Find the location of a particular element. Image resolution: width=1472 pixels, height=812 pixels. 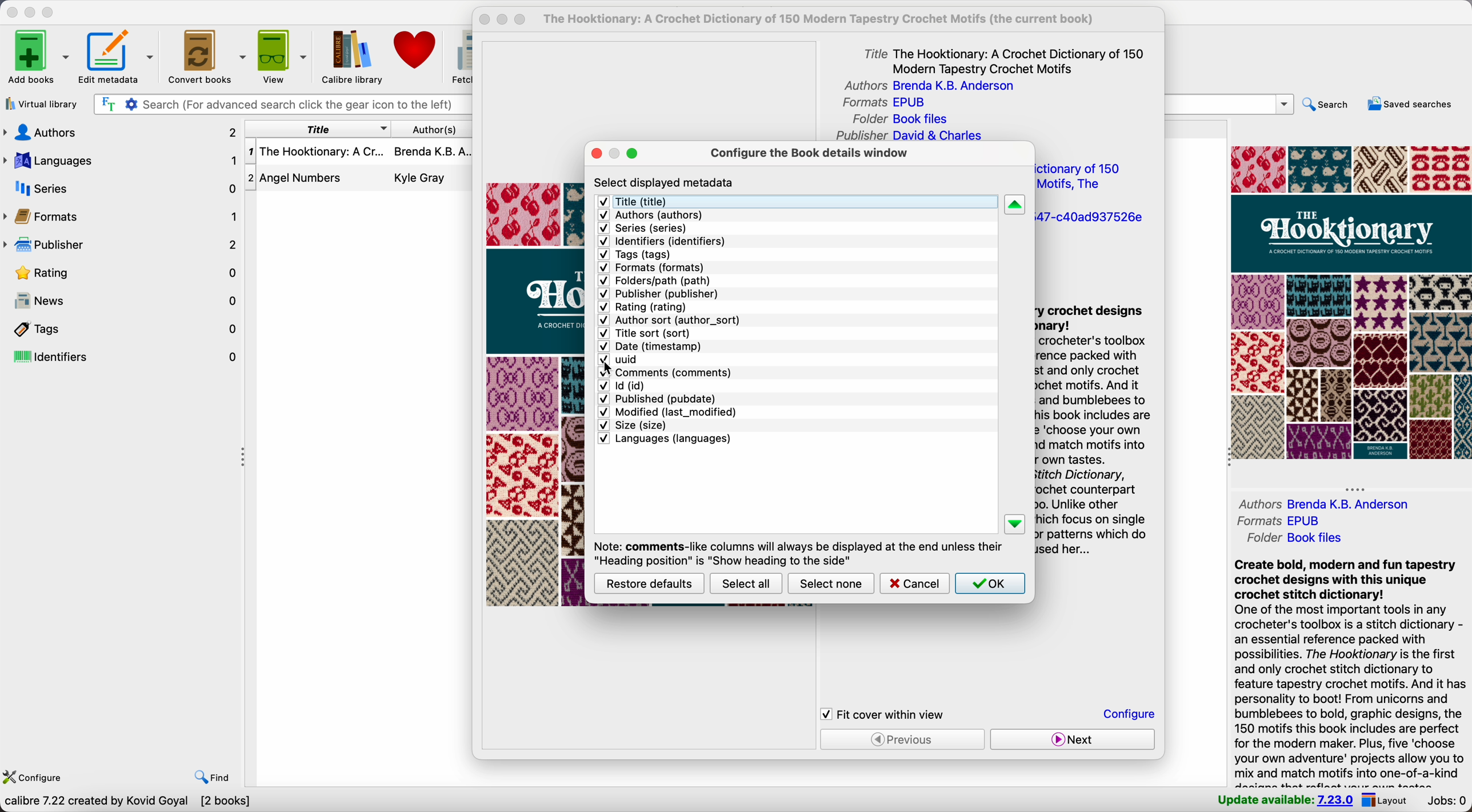

publisher is located at coordinates (908, 136).